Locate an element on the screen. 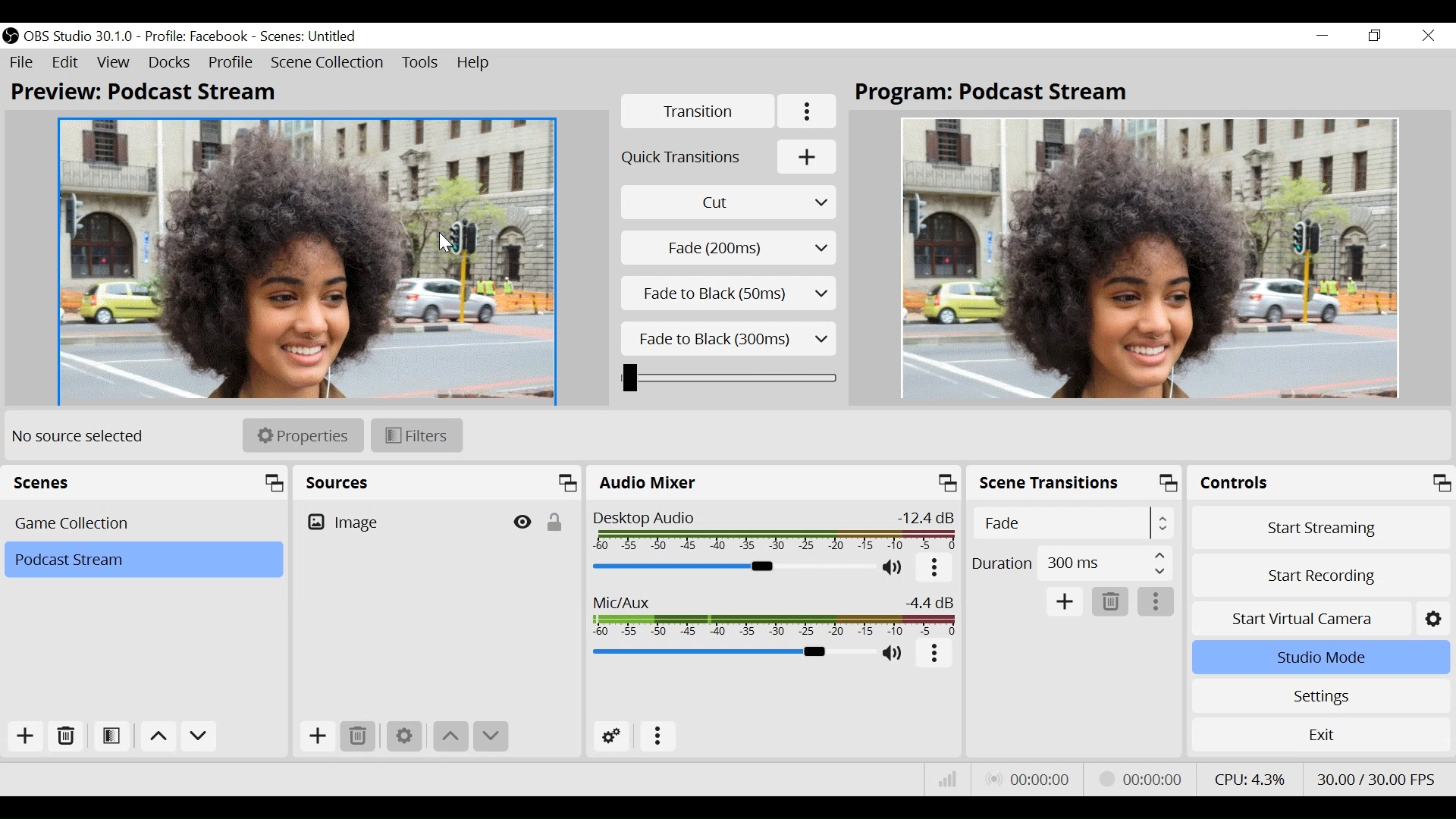  more options is located at coordinates (934, 654).